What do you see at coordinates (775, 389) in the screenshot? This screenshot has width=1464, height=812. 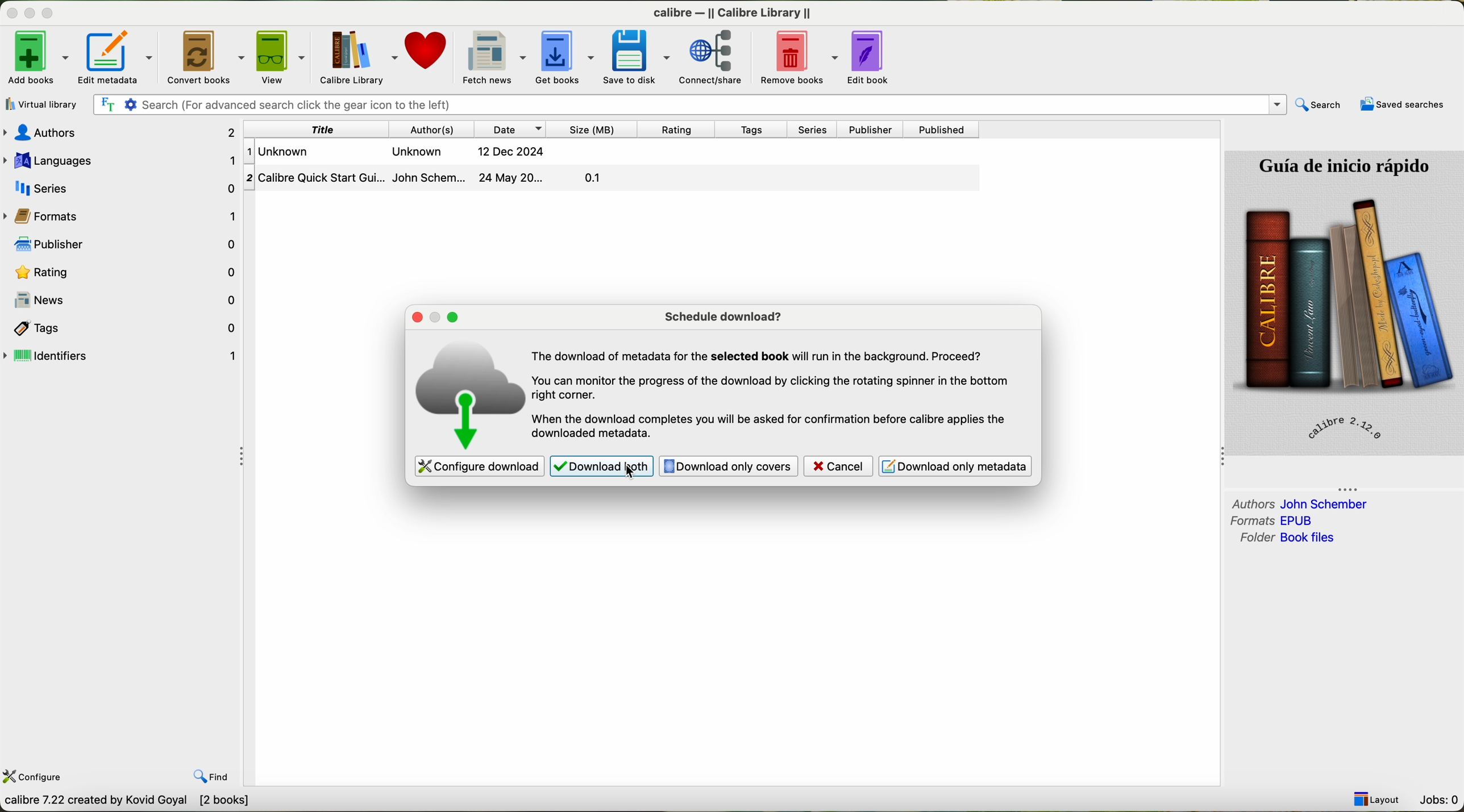 I see `the download of metadata for the selected book will run in the background procedd? you can monitor the progress of download by clicking the relater sighner in the bottom right corner` at bounding box center [775, 389].